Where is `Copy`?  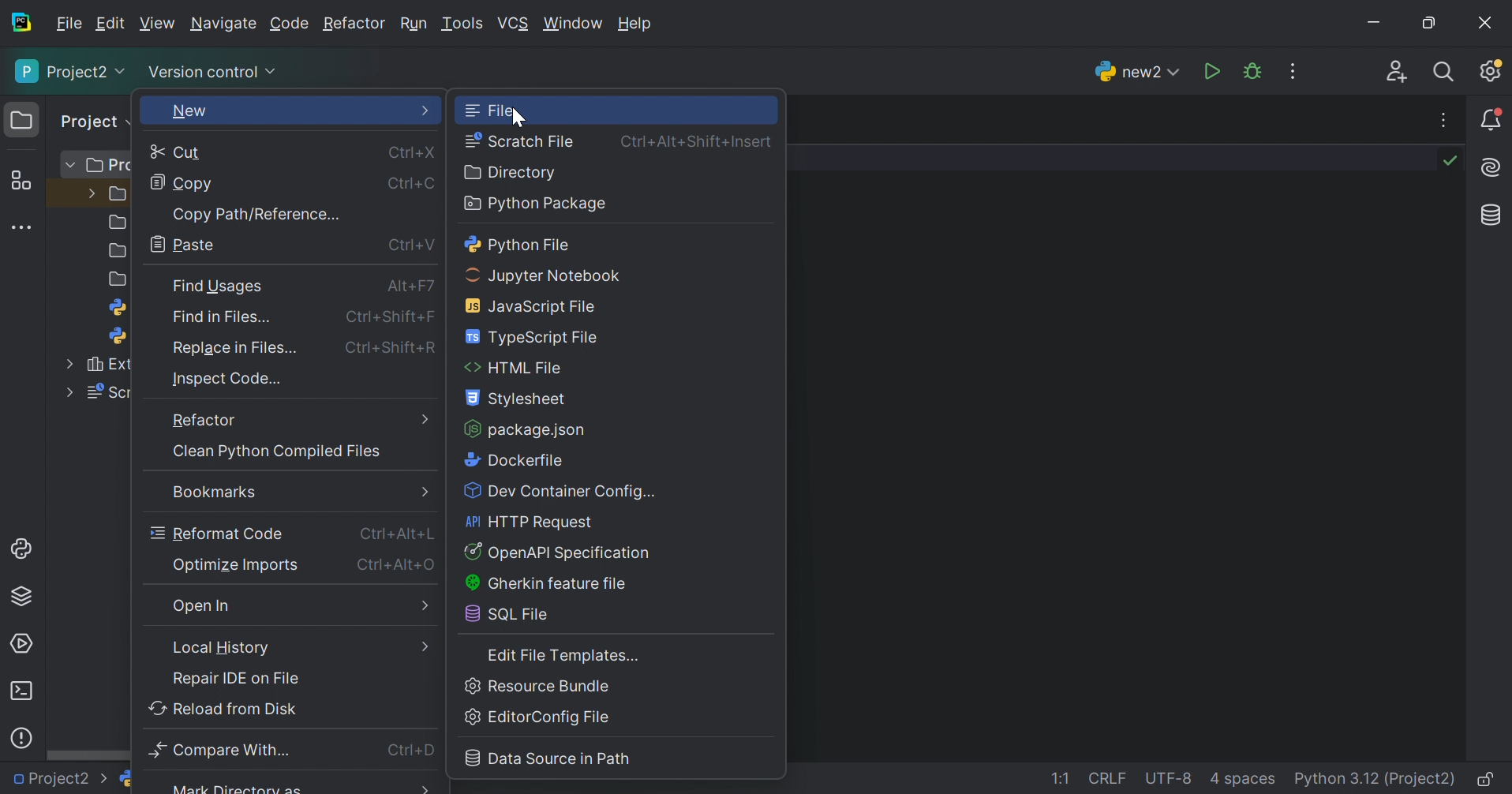
Copy is located at coordinates (181, 185).